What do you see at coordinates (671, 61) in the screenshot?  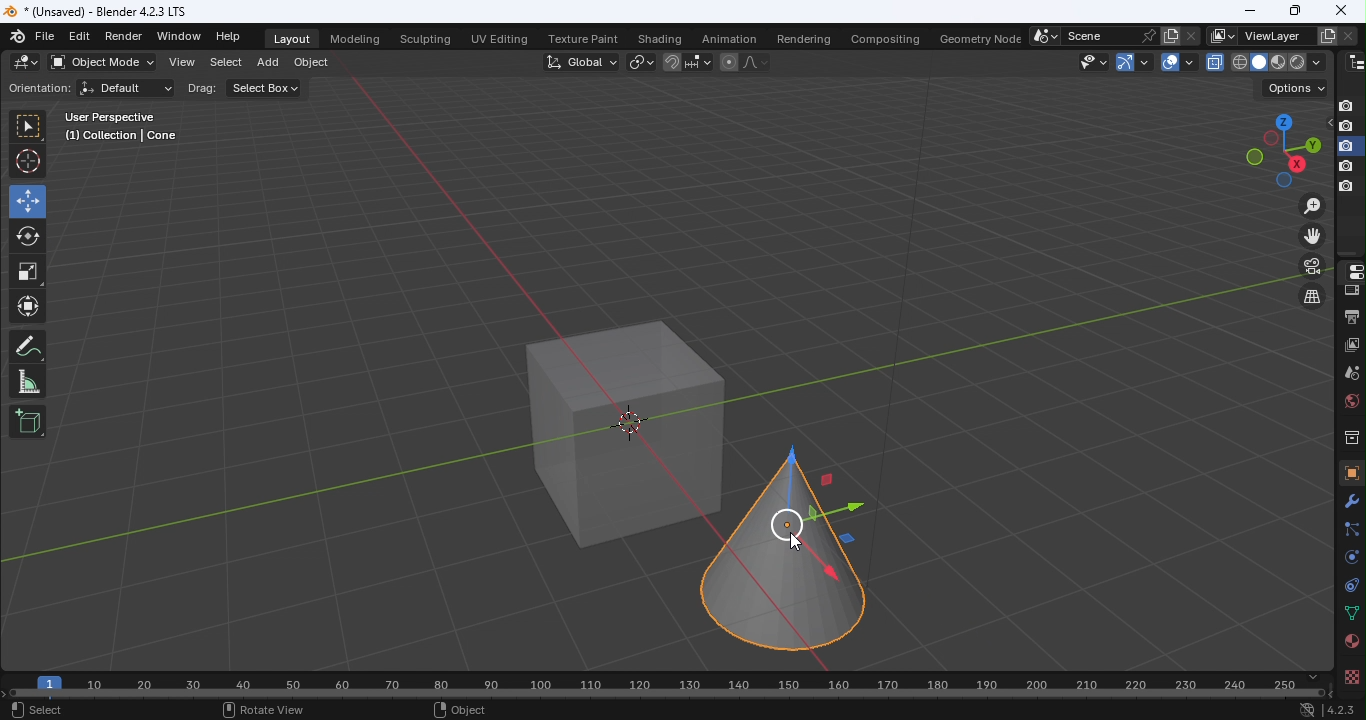 I see `Snap` at bounding box center [671, 61].